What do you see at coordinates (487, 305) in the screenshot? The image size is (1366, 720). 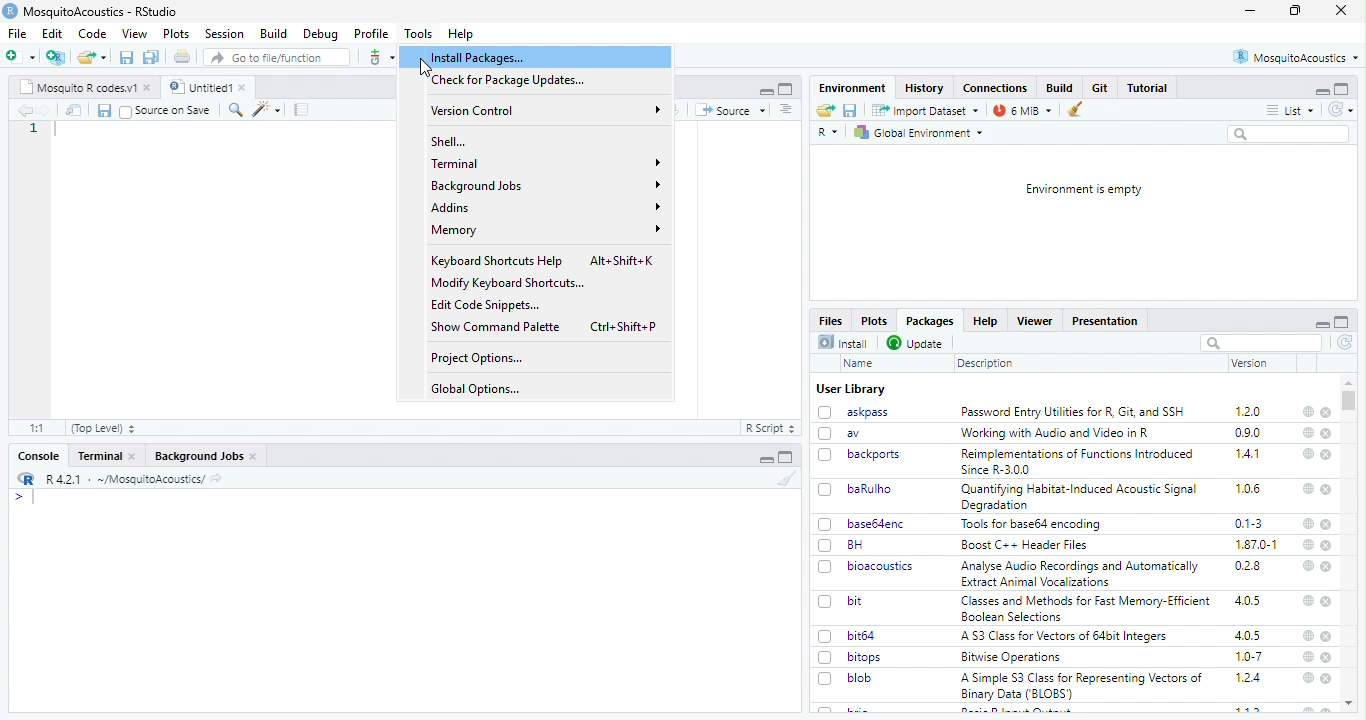 I see `Edit Code Snippets...` at bounding box center [487, 305].